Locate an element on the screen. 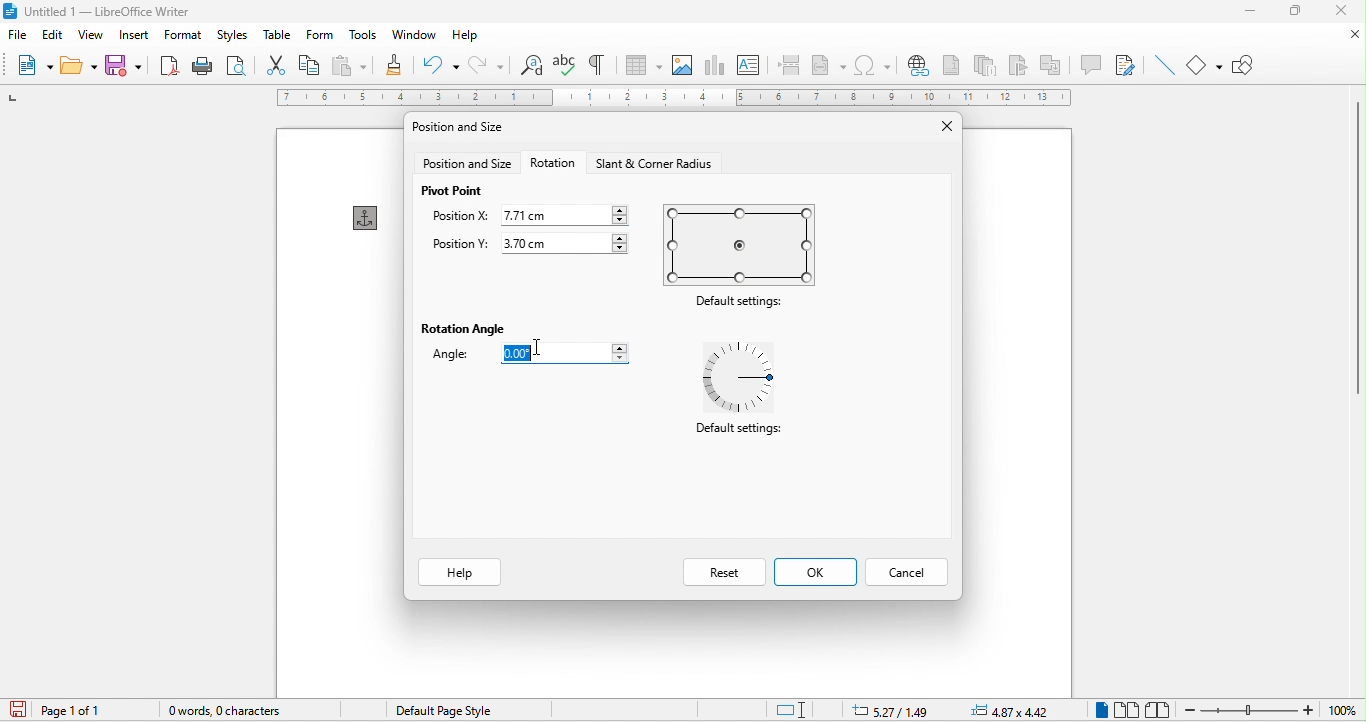  cross reference is located at coordinates (1056, 64).